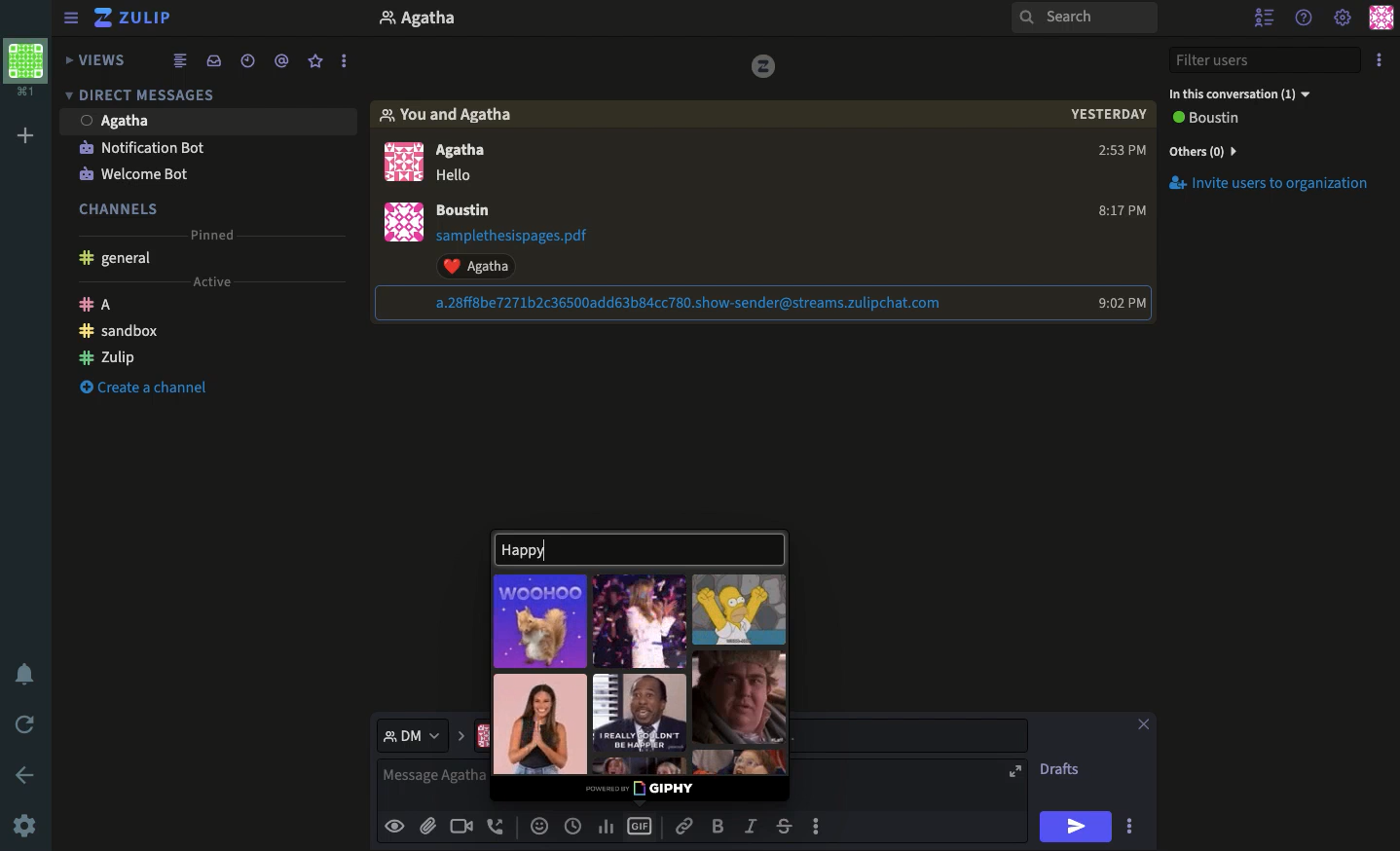 This screenshot has width=1400, height=851. What do you see at coordinates (122, 120) in the screenshot?
I see `User` at bounding box center [122, 120].